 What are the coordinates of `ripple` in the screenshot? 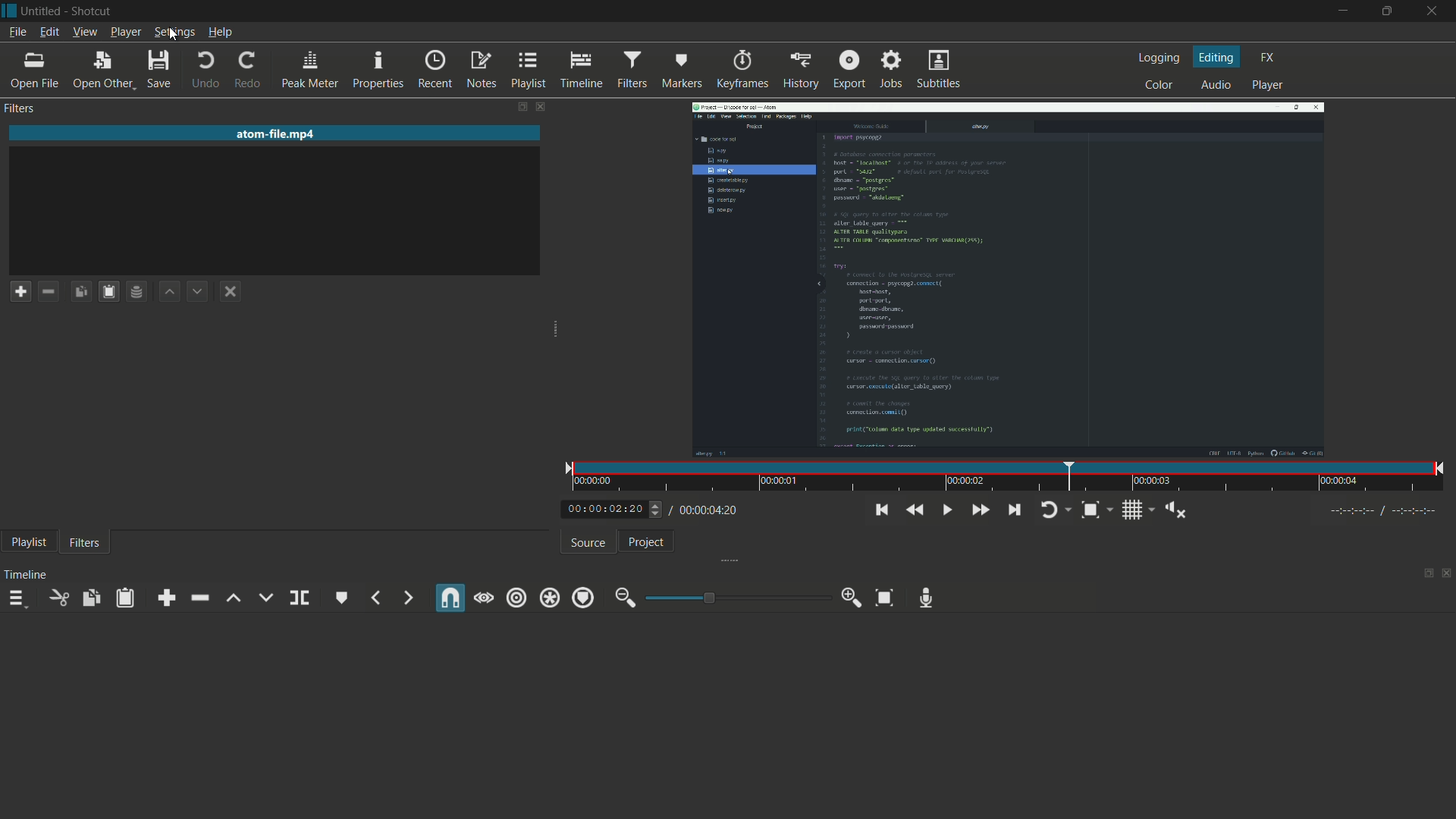 It's located at (516, 598).